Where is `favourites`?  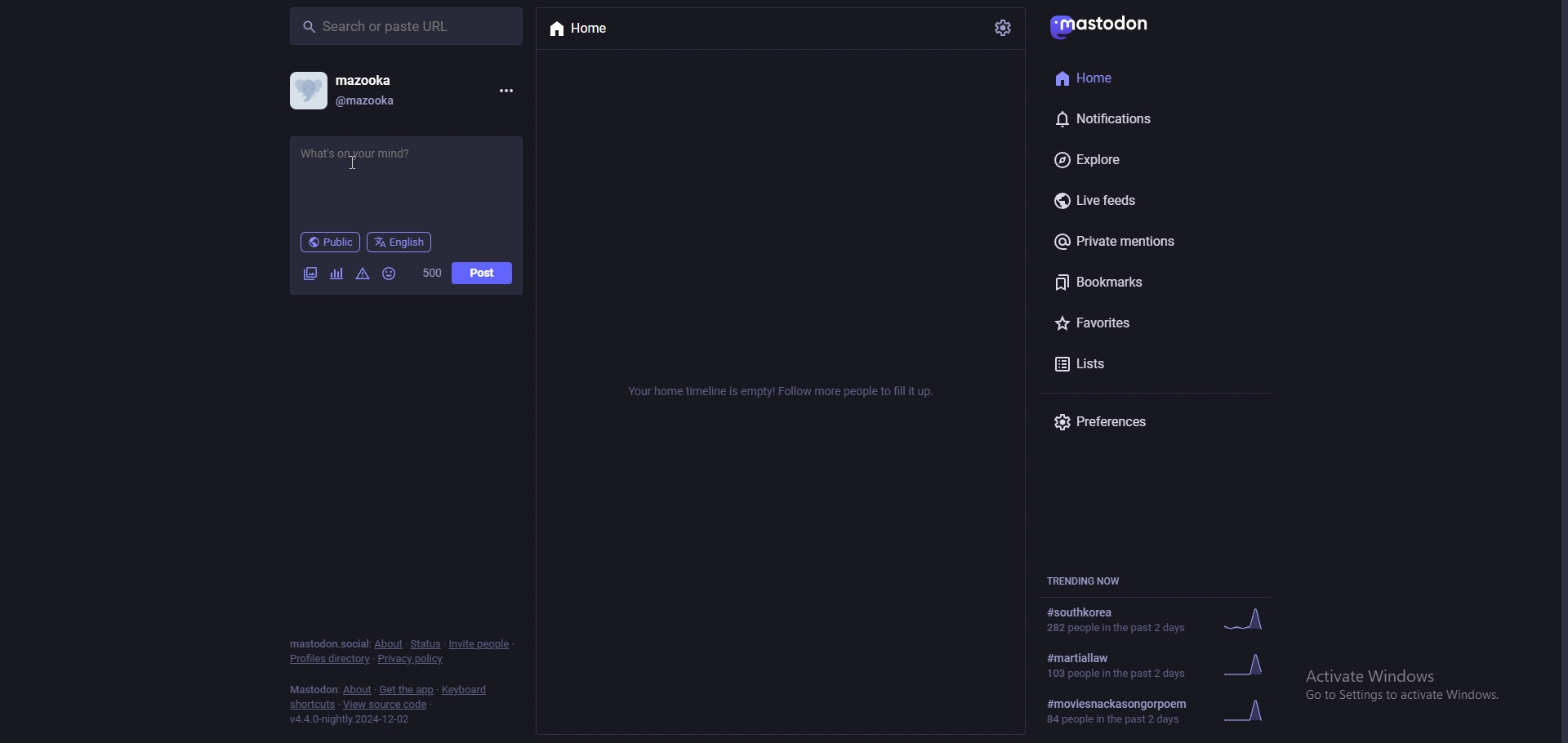 favourites is located at coordinates (1142, 323).